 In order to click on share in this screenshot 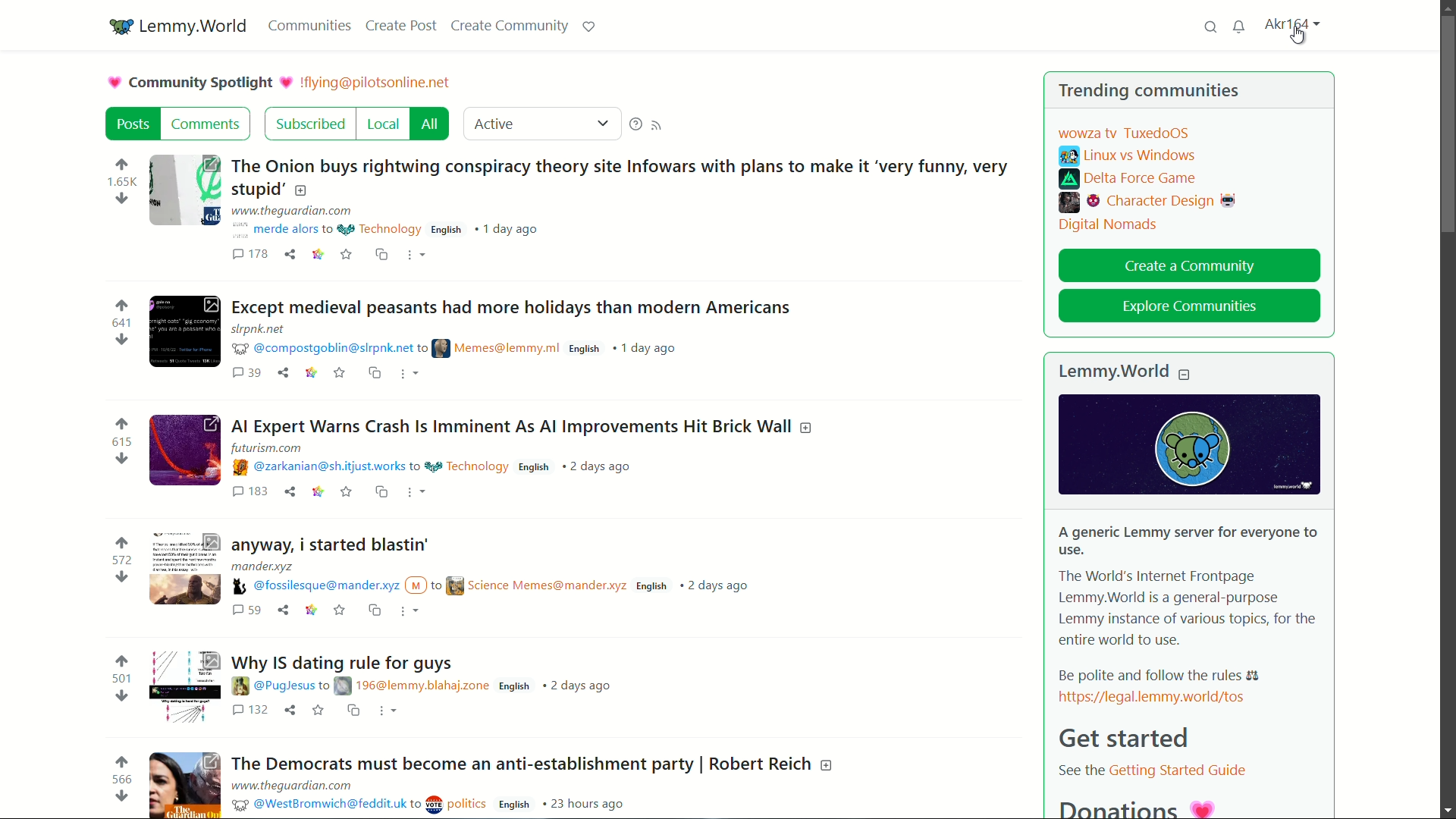, I will do `click(291, 708)`.